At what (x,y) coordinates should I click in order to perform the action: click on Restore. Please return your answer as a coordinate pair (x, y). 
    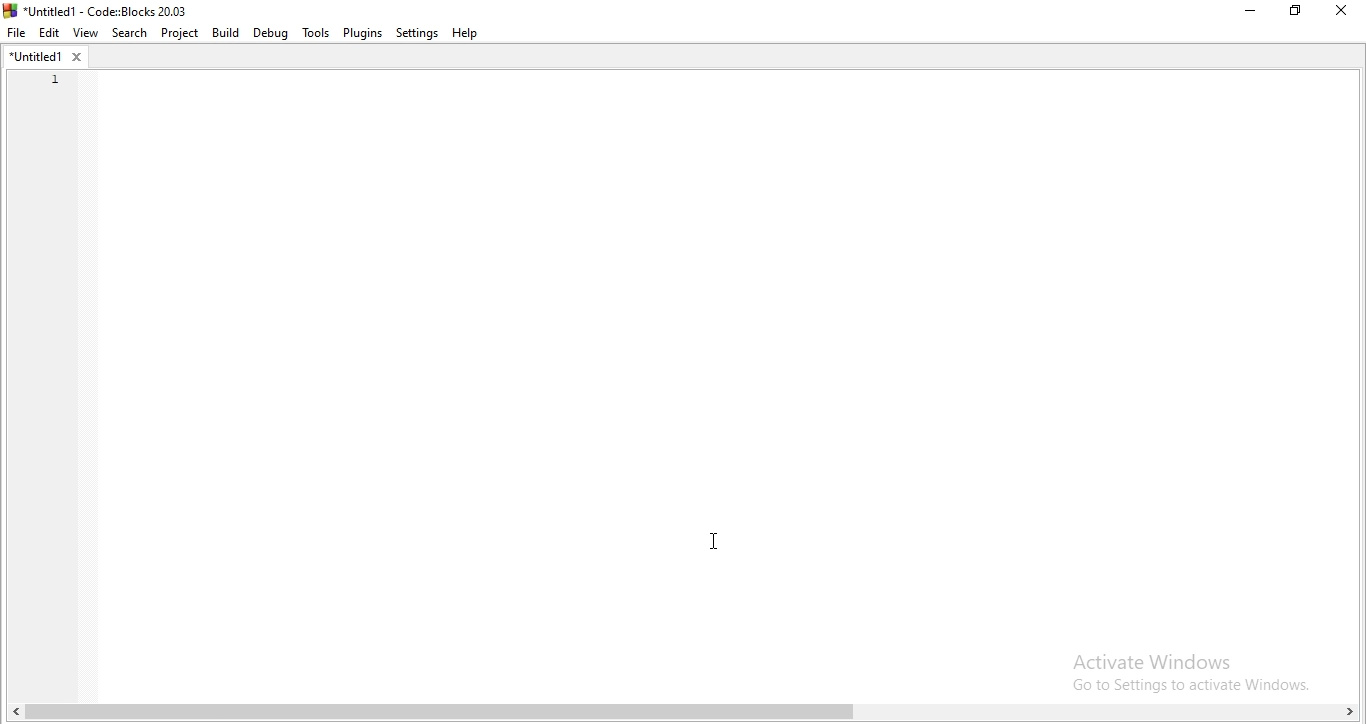
    Looking at the image, I should click on (1297, 12).